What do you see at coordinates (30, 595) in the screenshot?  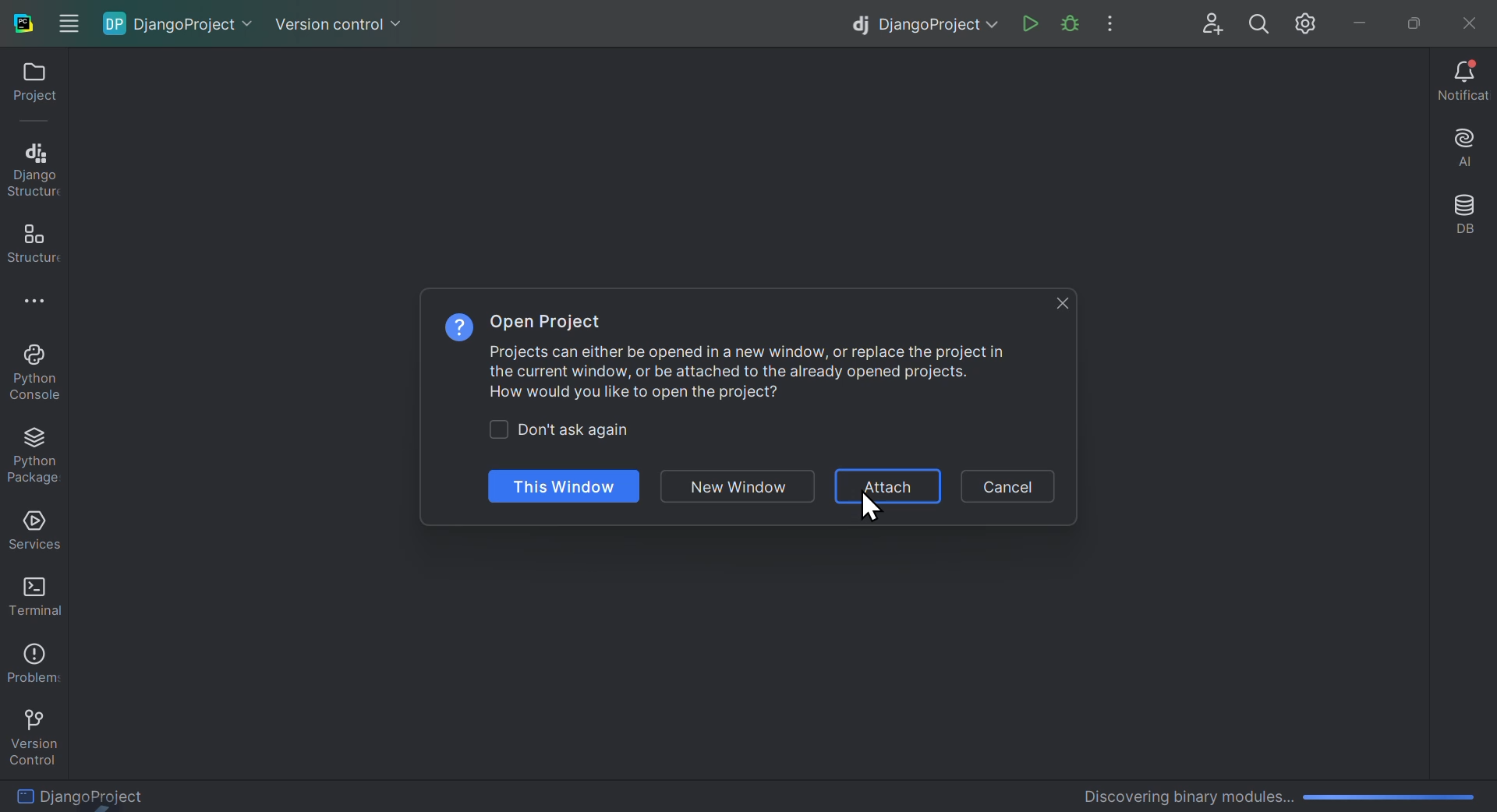 I see `Terminal` at bounding box center [30, 595].